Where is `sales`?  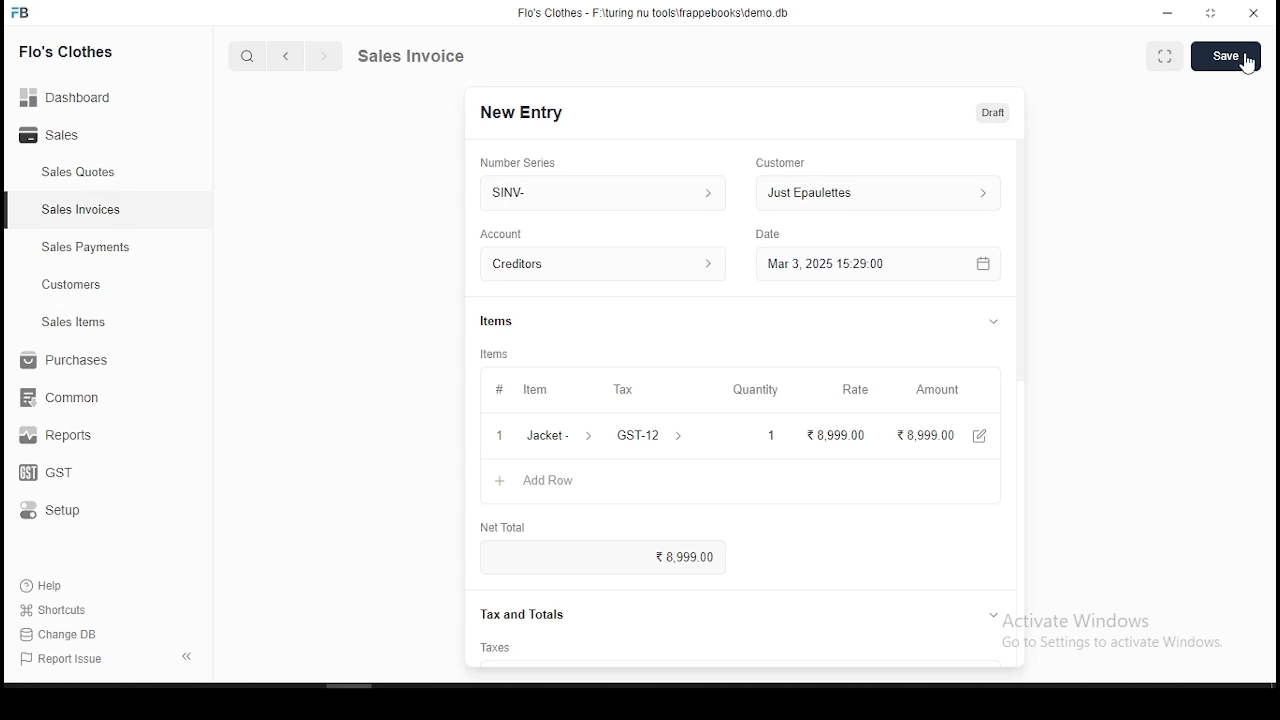
sales is located at coordinates (75, 172).